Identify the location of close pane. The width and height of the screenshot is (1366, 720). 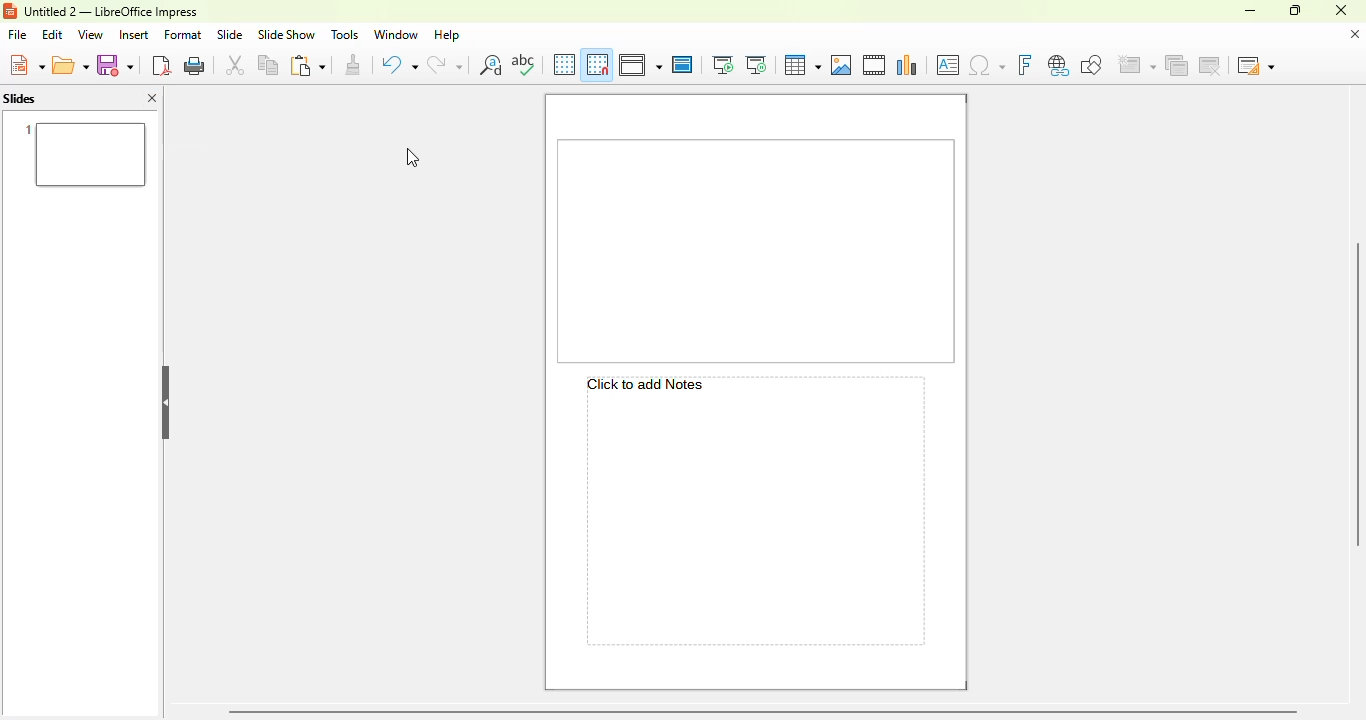
(153, 97).